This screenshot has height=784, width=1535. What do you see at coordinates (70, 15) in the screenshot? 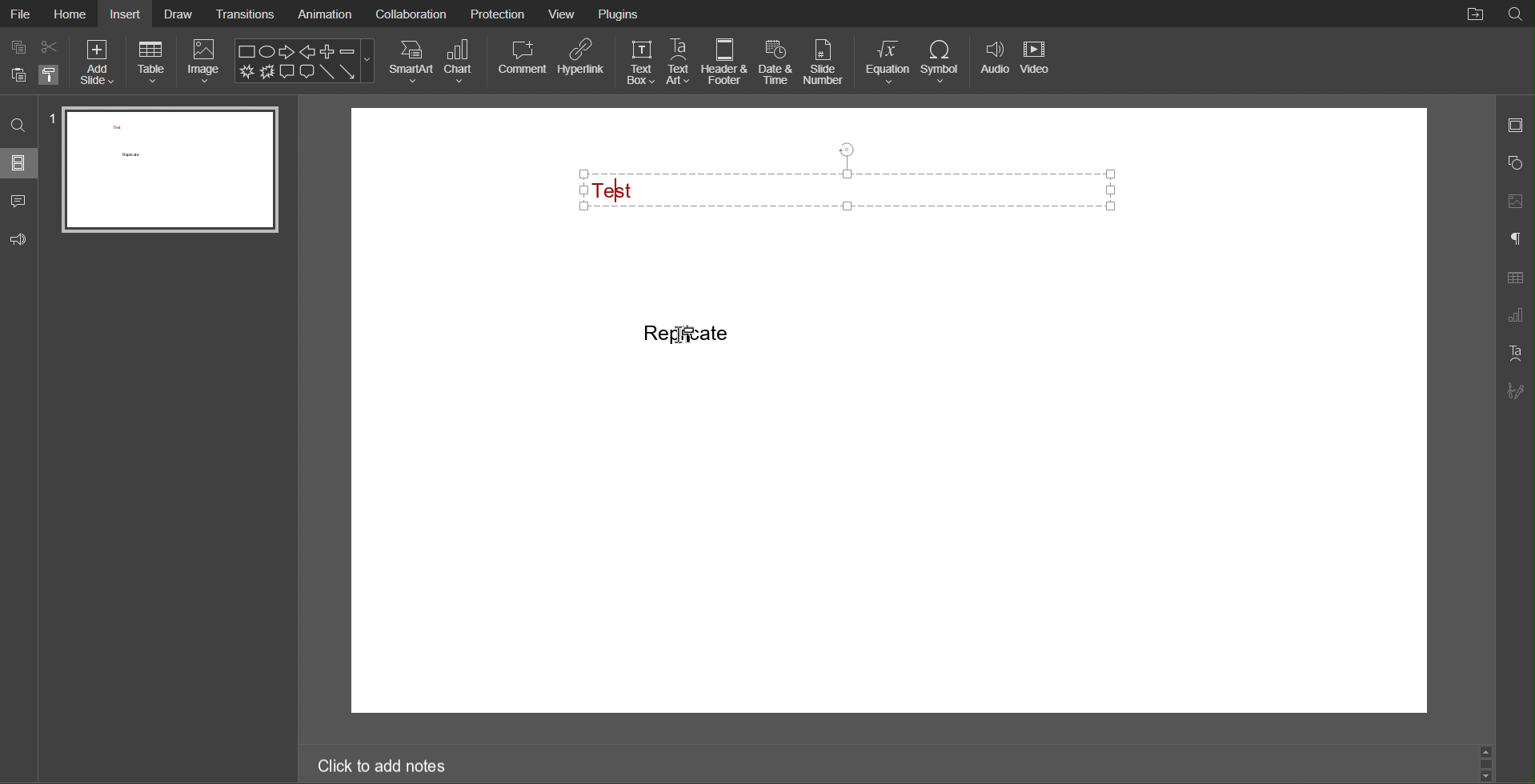
I see `Home` at bounding box center [70, 15].